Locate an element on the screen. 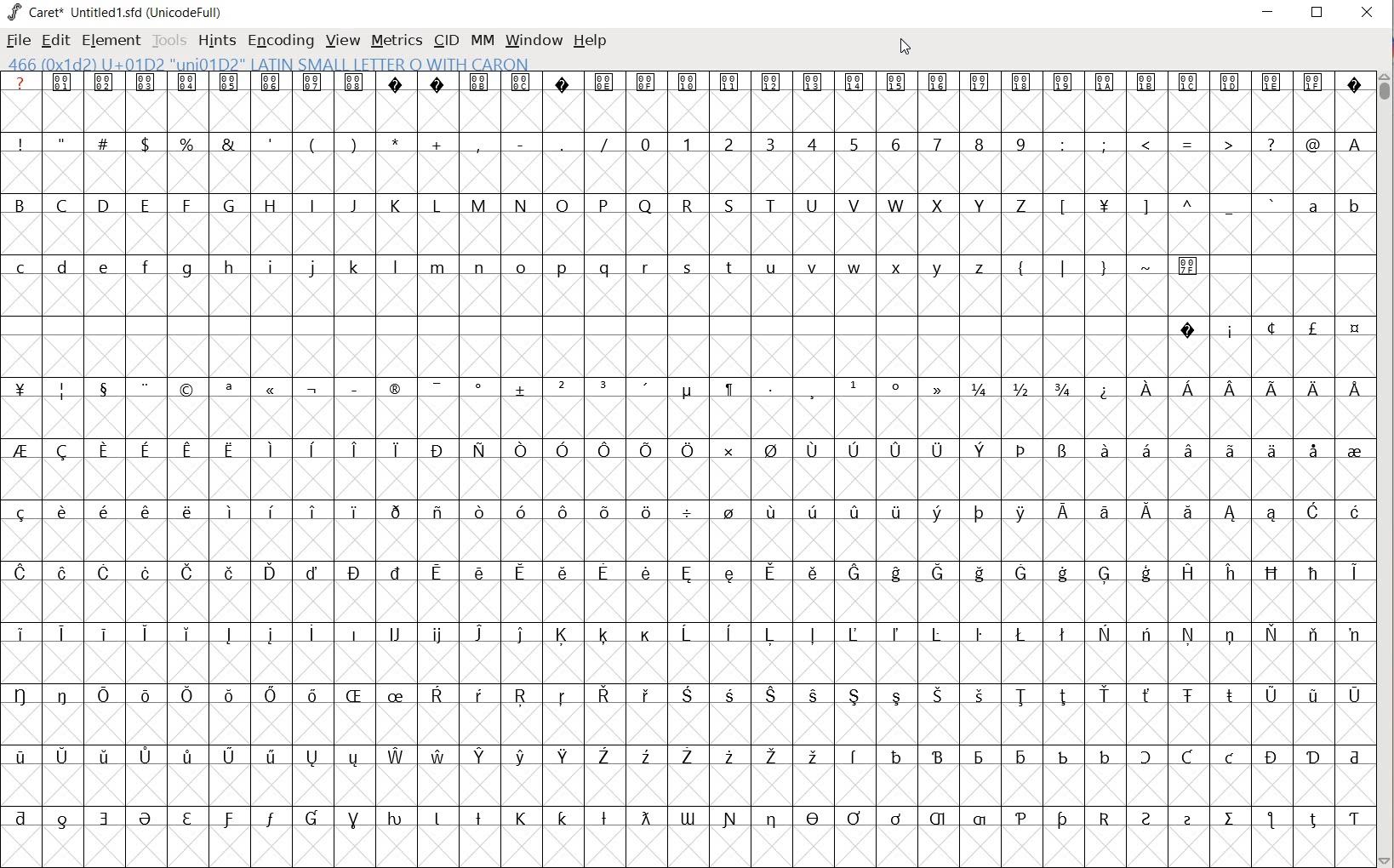  466 (0x1d2) U+01D2 "UNI01D2" LATIN SMALL LETTER O WITH CARON is located at coordinates (269, 65).